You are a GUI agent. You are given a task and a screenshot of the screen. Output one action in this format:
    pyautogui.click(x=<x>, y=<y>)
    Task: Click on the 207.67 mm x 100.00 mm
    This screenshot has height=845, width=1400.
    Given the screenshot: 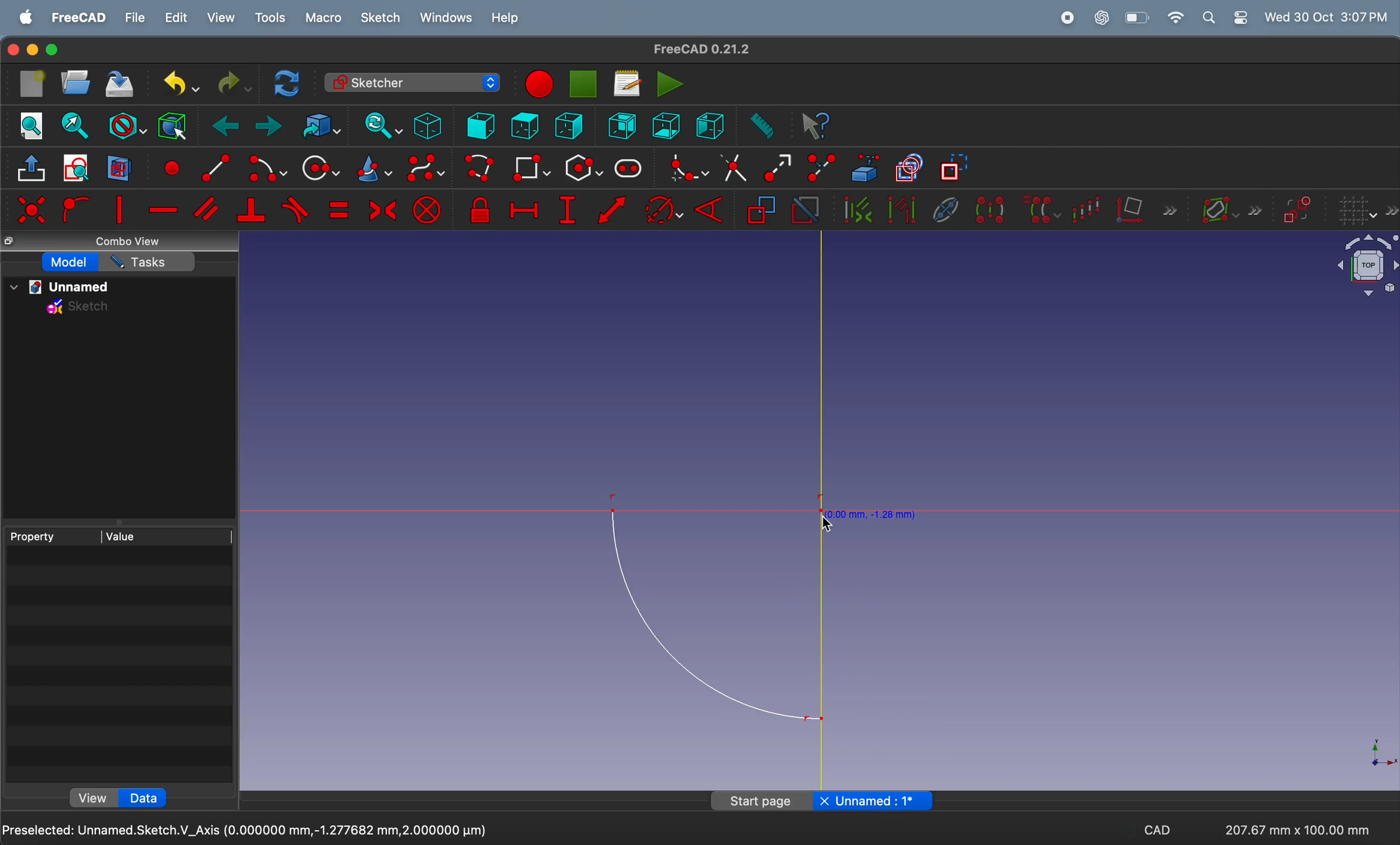 What is the action you would take?
    pyautogui.click(x=1295, y=830)
    